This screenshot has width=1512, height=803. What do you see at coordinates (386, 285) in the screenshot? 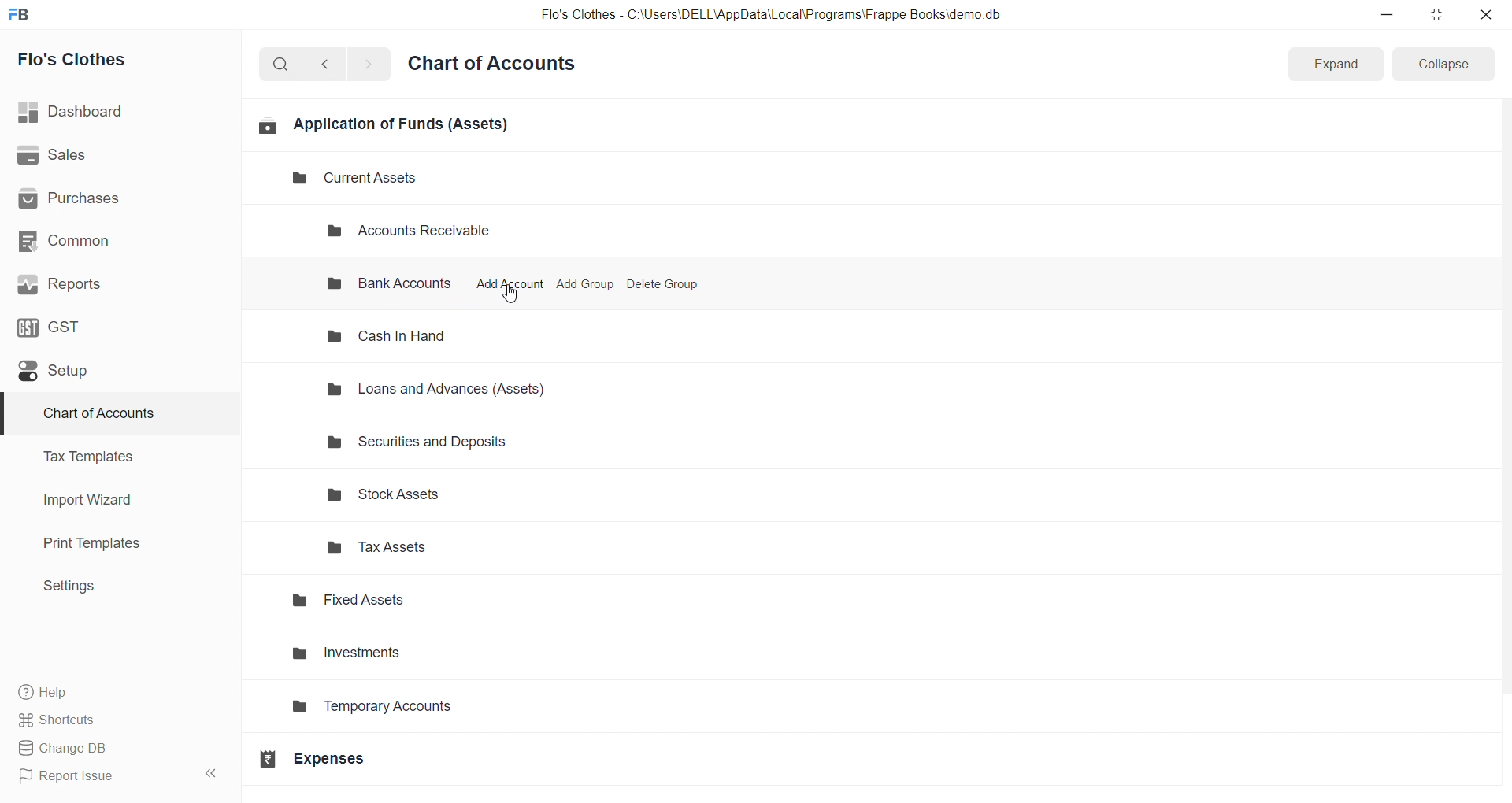
I see `Bank Accounts` at bounding box center [386, 285].